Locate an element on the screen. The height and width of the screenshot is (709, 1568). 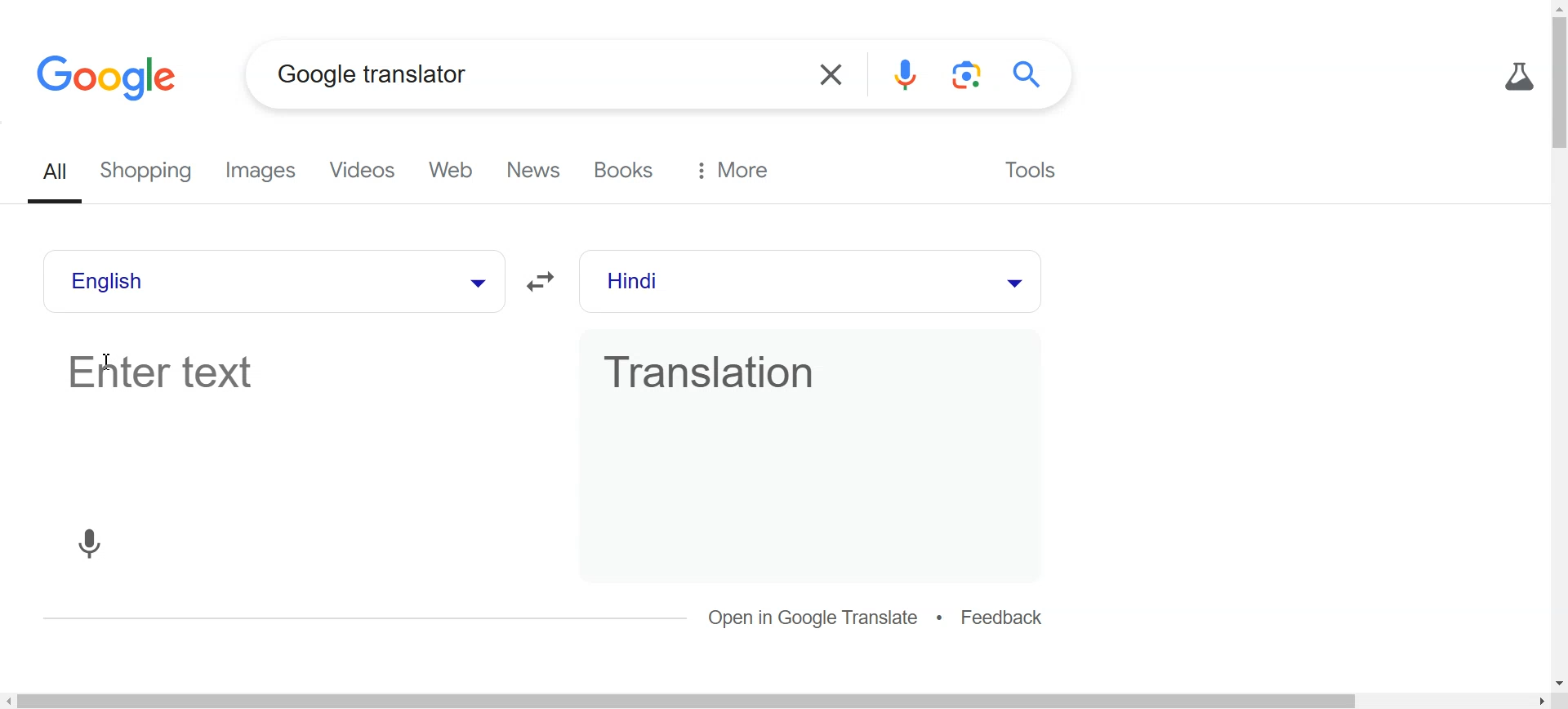
Vertical scroll bar is located at coordinates (1558, 344).